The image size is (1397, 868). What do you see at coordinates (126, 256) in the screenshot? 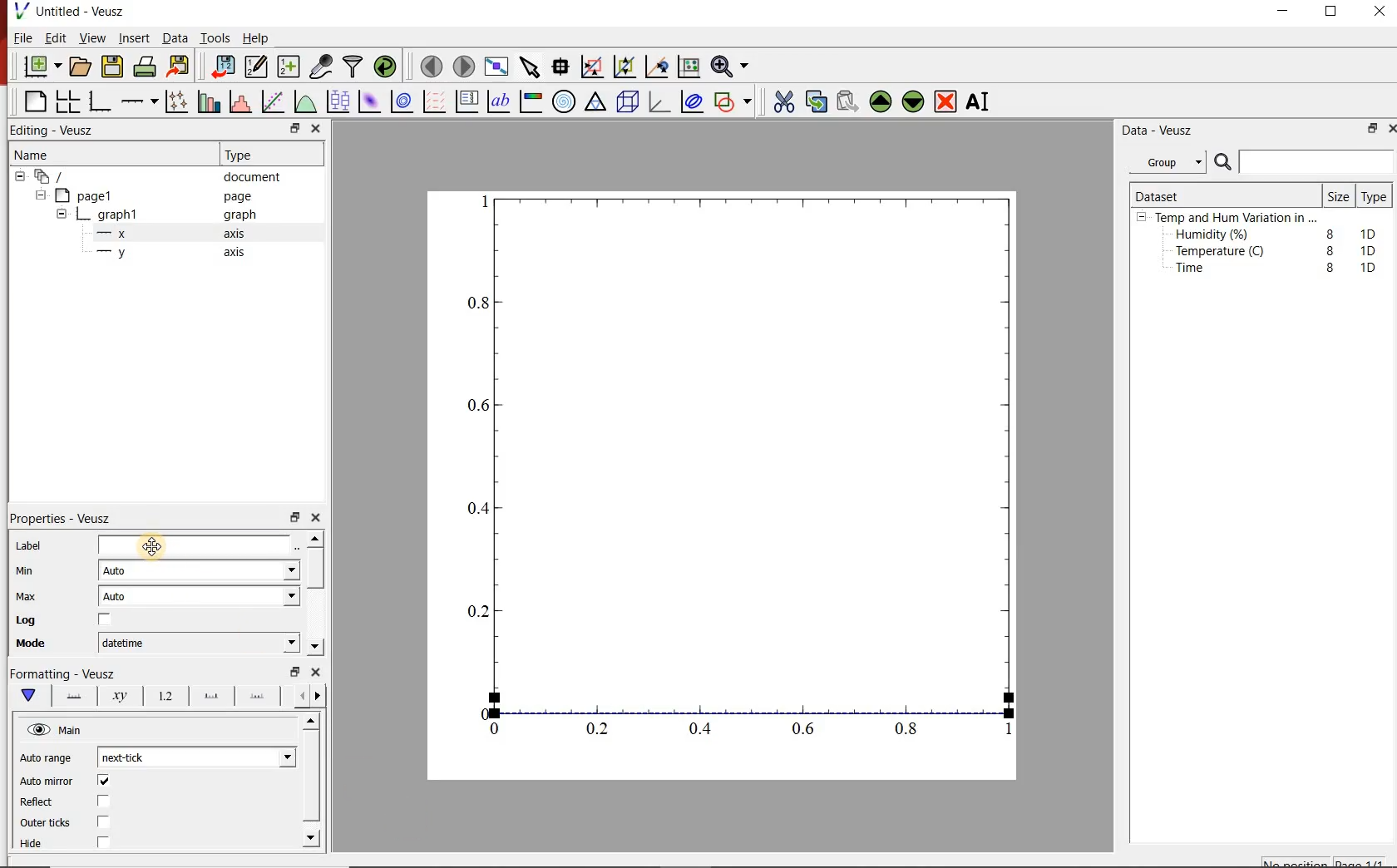
I see `y` at bounding box center [126, 256].